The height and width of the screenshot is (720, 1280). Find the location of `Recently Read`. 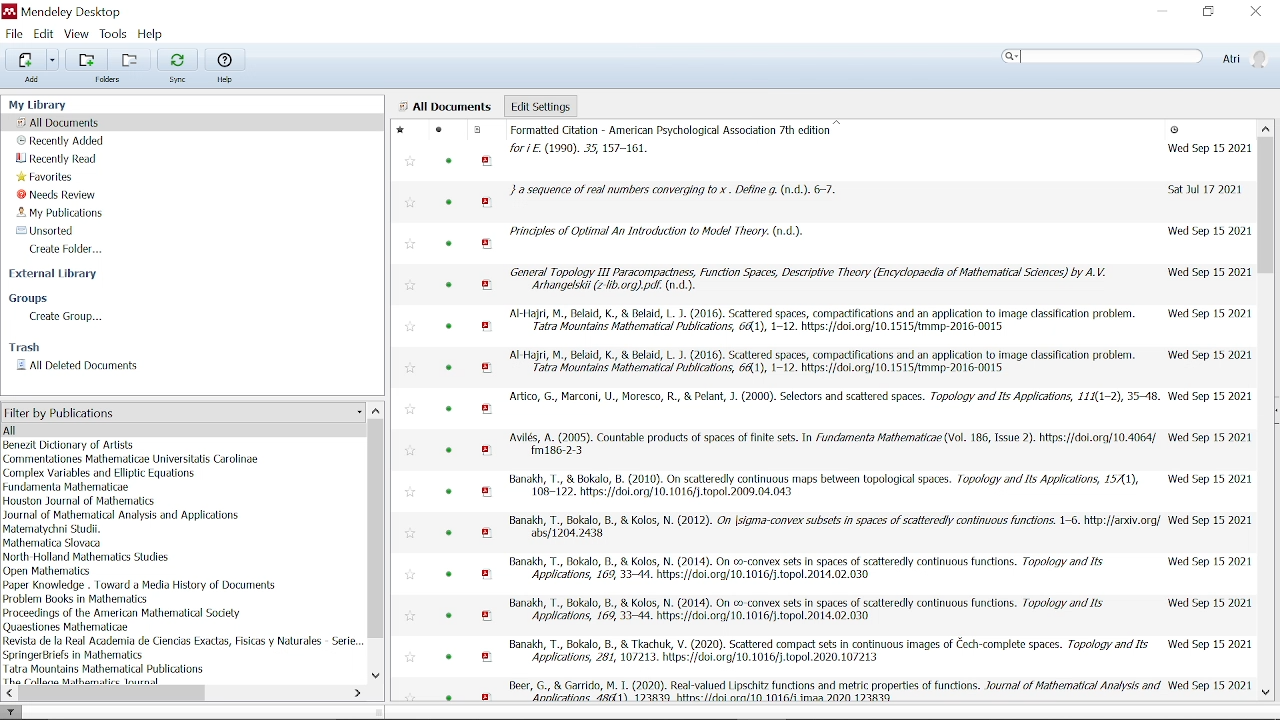

Recently Read is located at coordinates (58, 159).